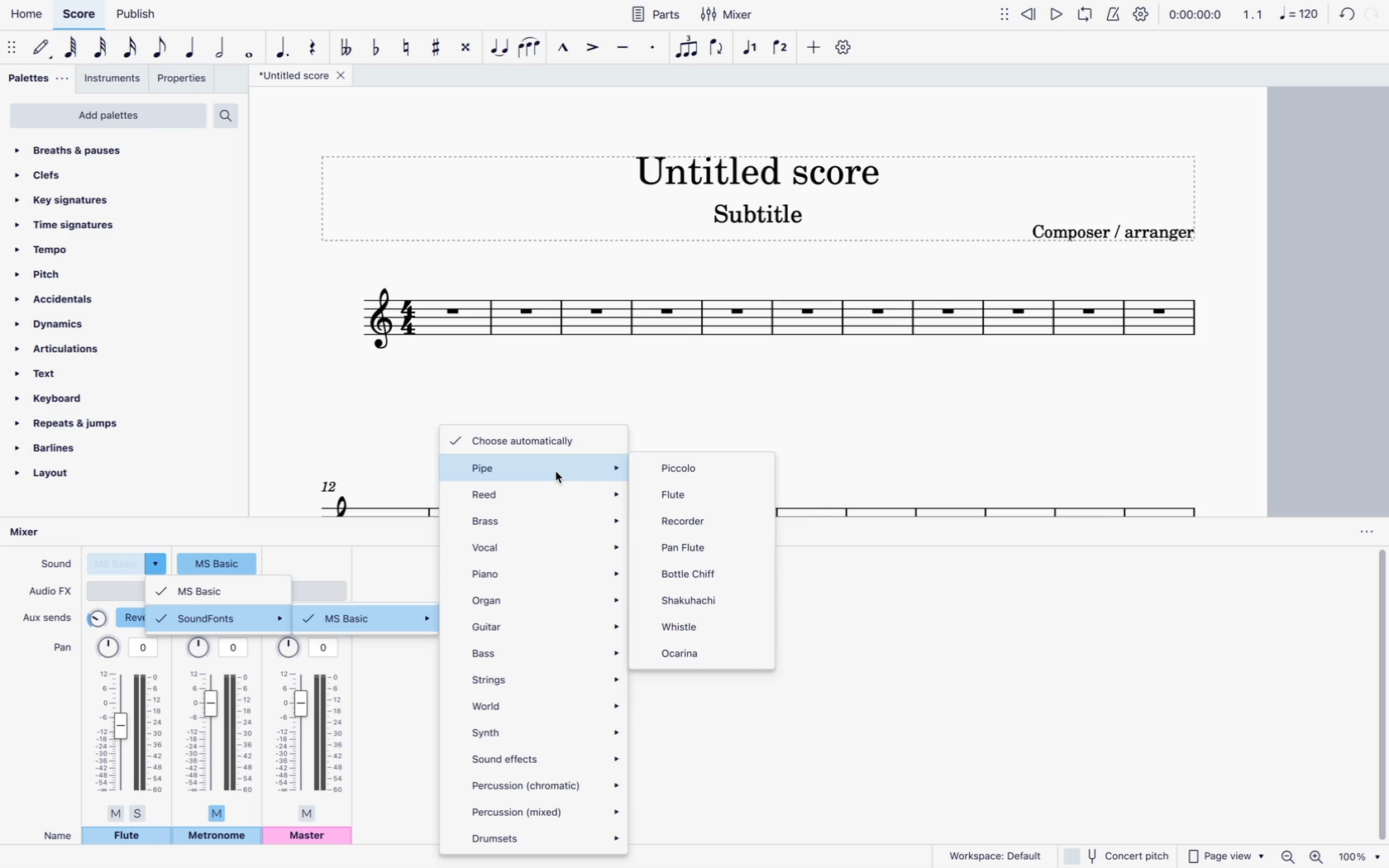 This screenshot has height=868, width=1389. I want to click on concert pitch, so click(1115, 855).